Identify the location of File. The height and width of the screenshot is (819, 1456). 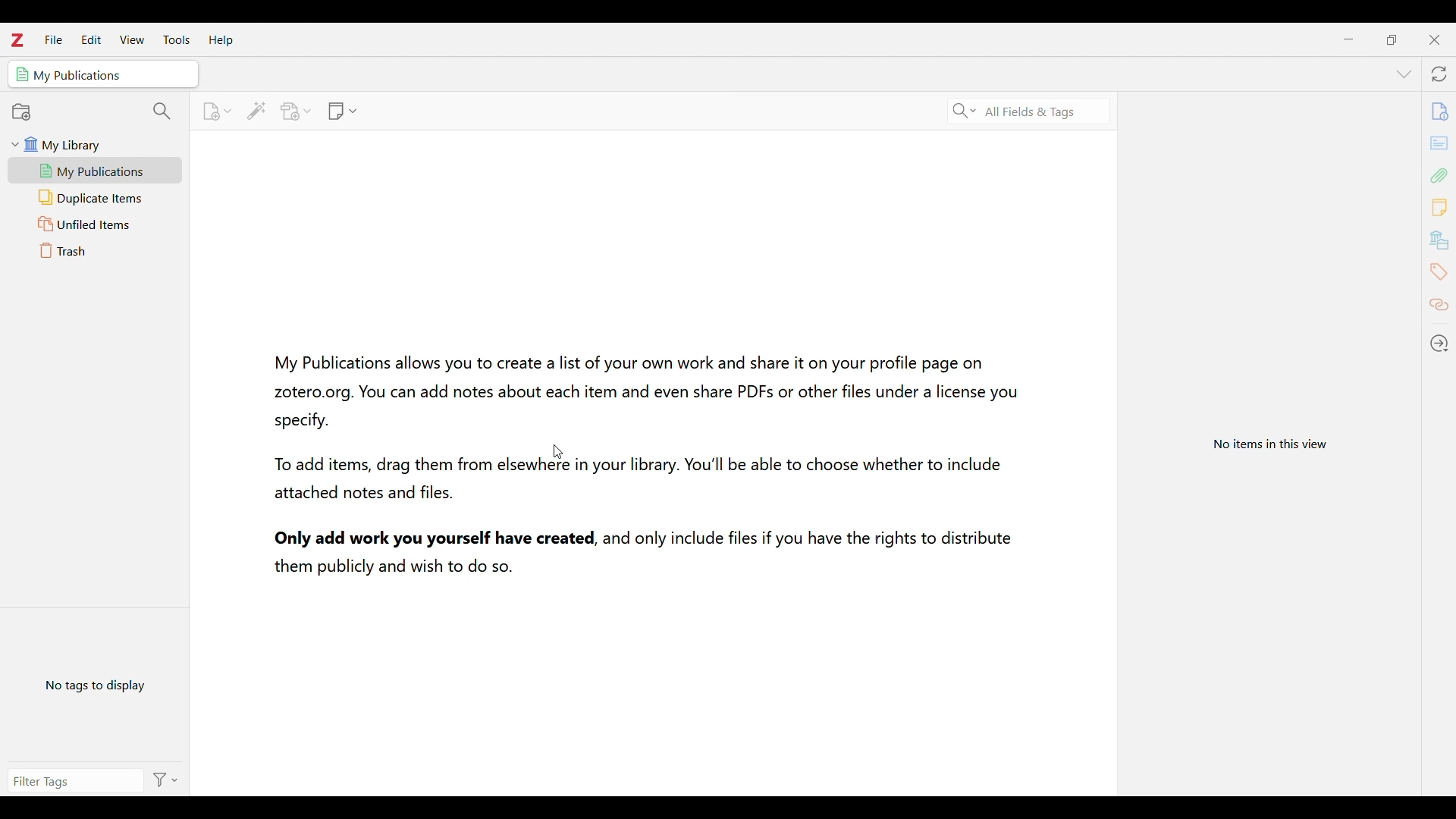
(53, 39).